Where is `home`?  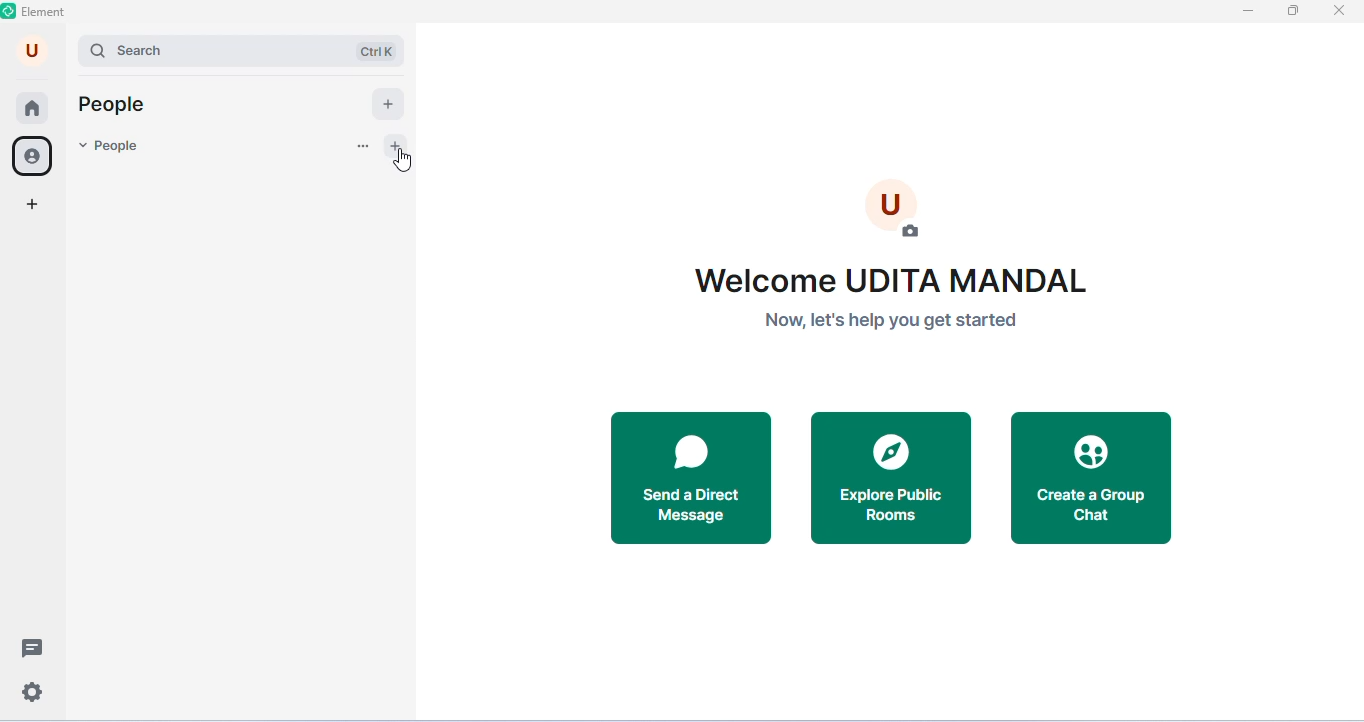
home is located at coordinates (32, 109).